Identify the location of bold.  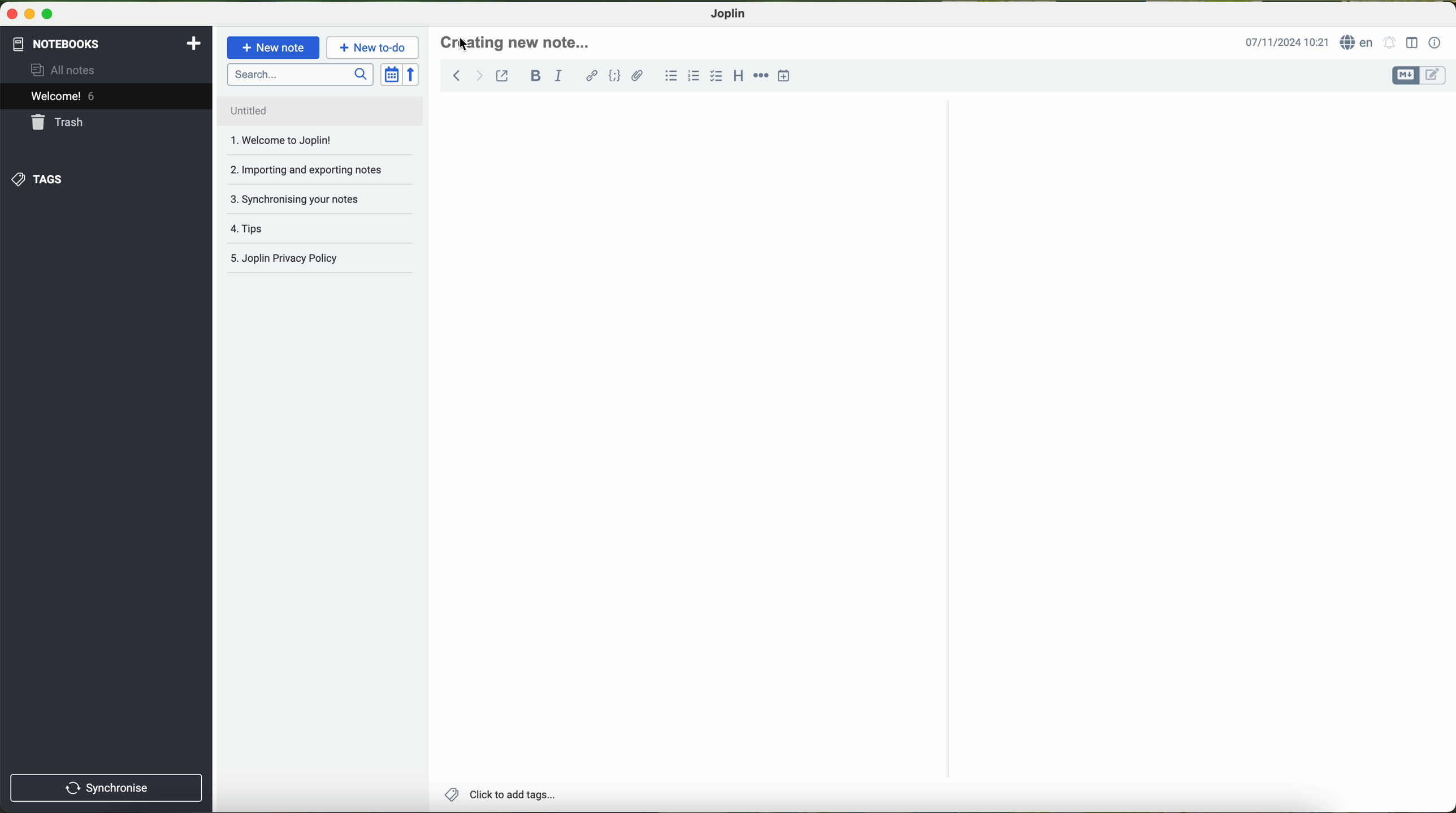
(536, 76).